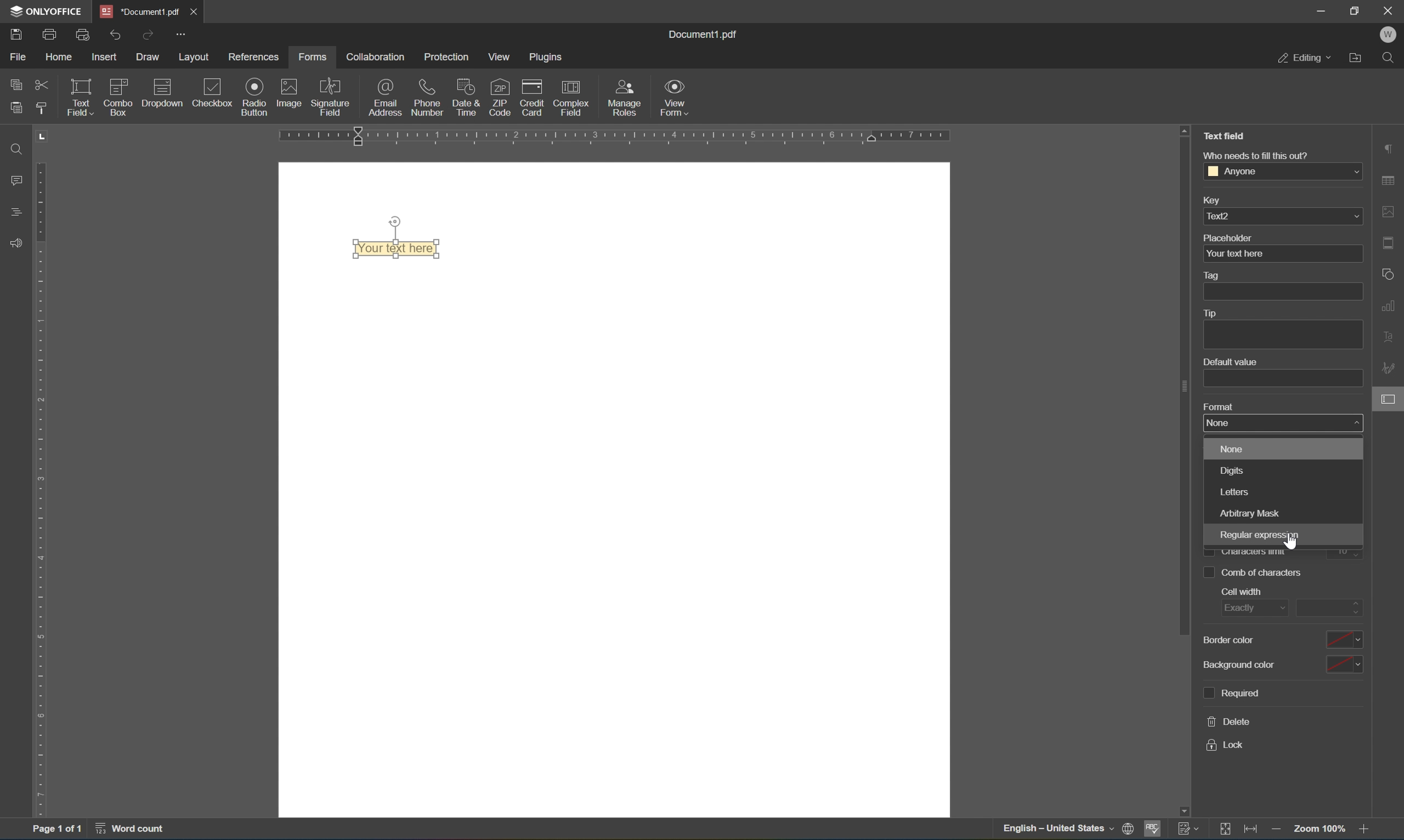 This screenshot has width=1404, height=840. What do you see at coordinates (182, 31) in the screenshot?
I see `customize quick access toolbar` at bounding box center [182, 31].